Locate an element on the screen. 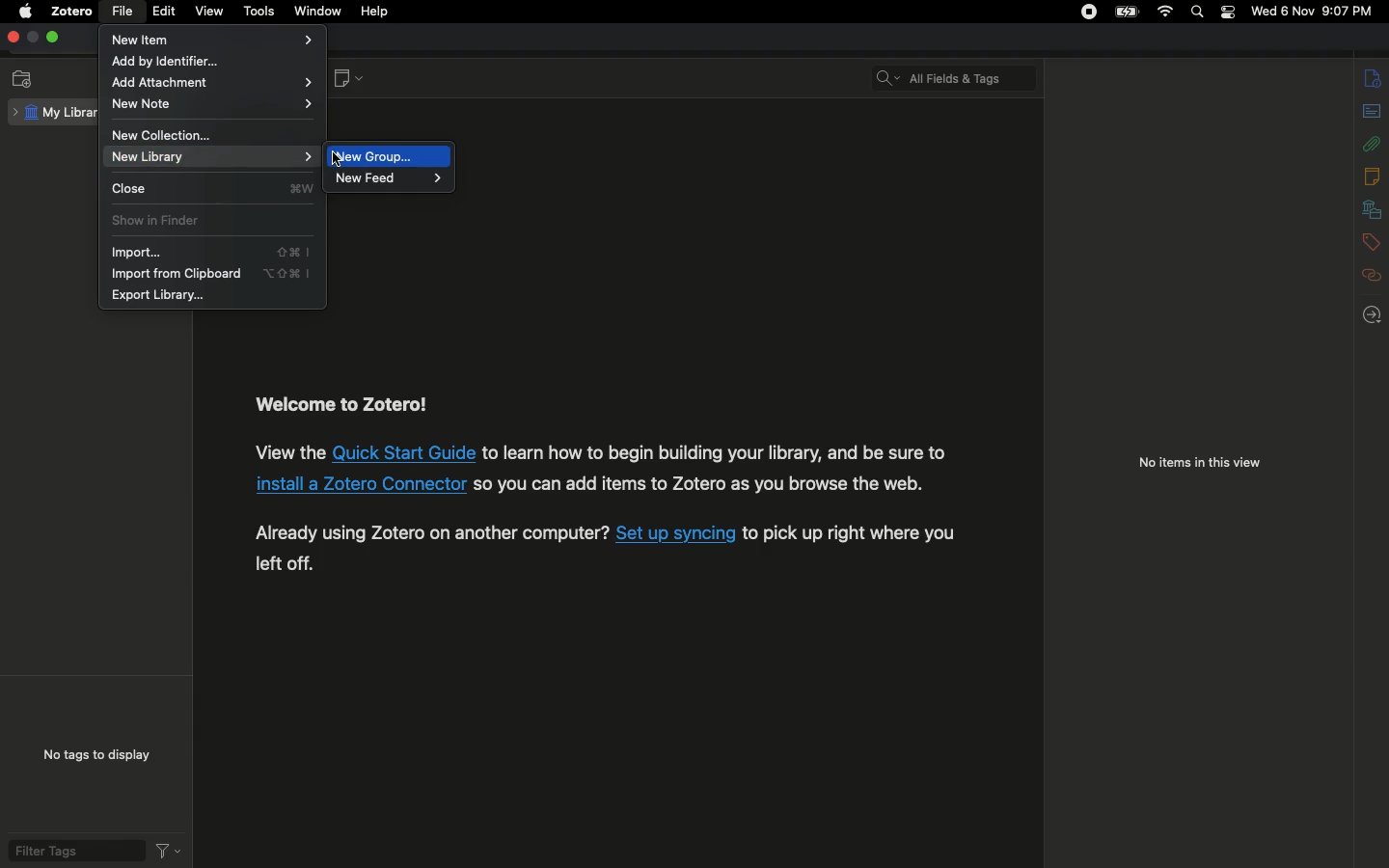  Notes is located at coordinates (1373, 176).